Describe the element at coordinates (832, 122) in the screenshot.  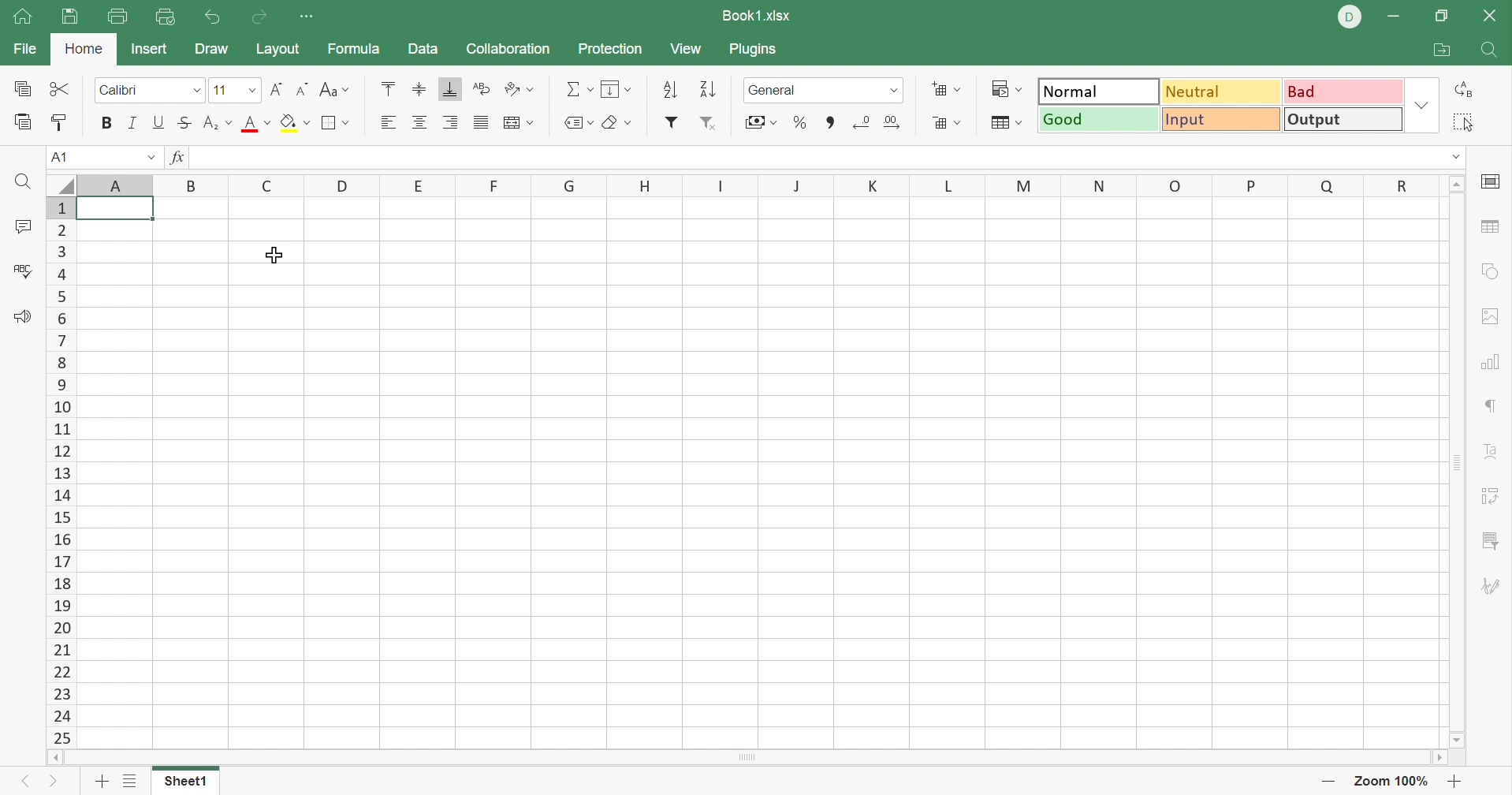
I see `Comma style` at that location.